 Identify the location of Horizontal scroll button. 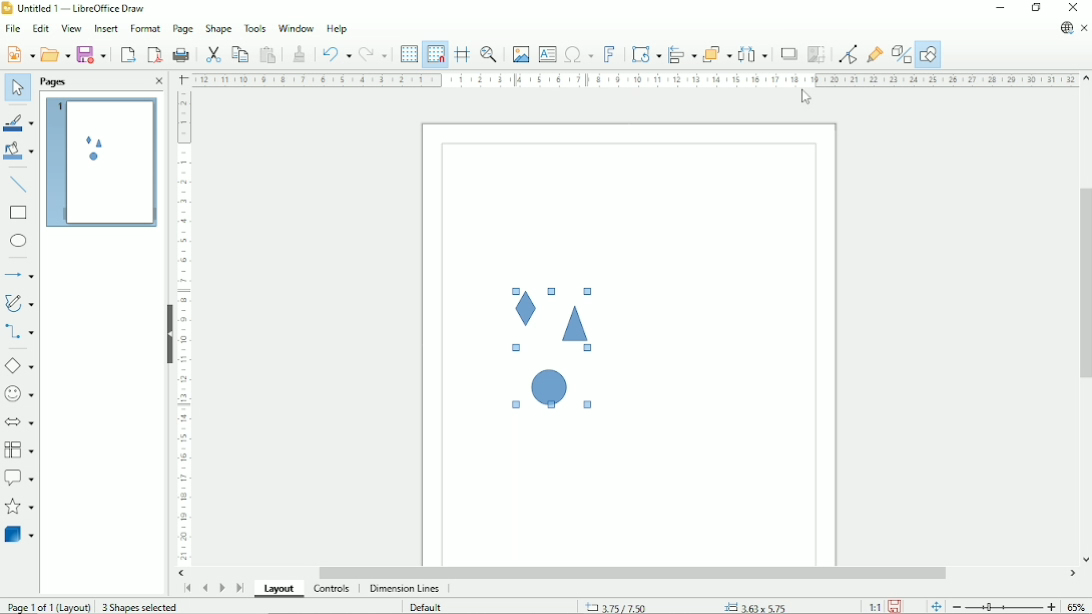
(1072, 575).